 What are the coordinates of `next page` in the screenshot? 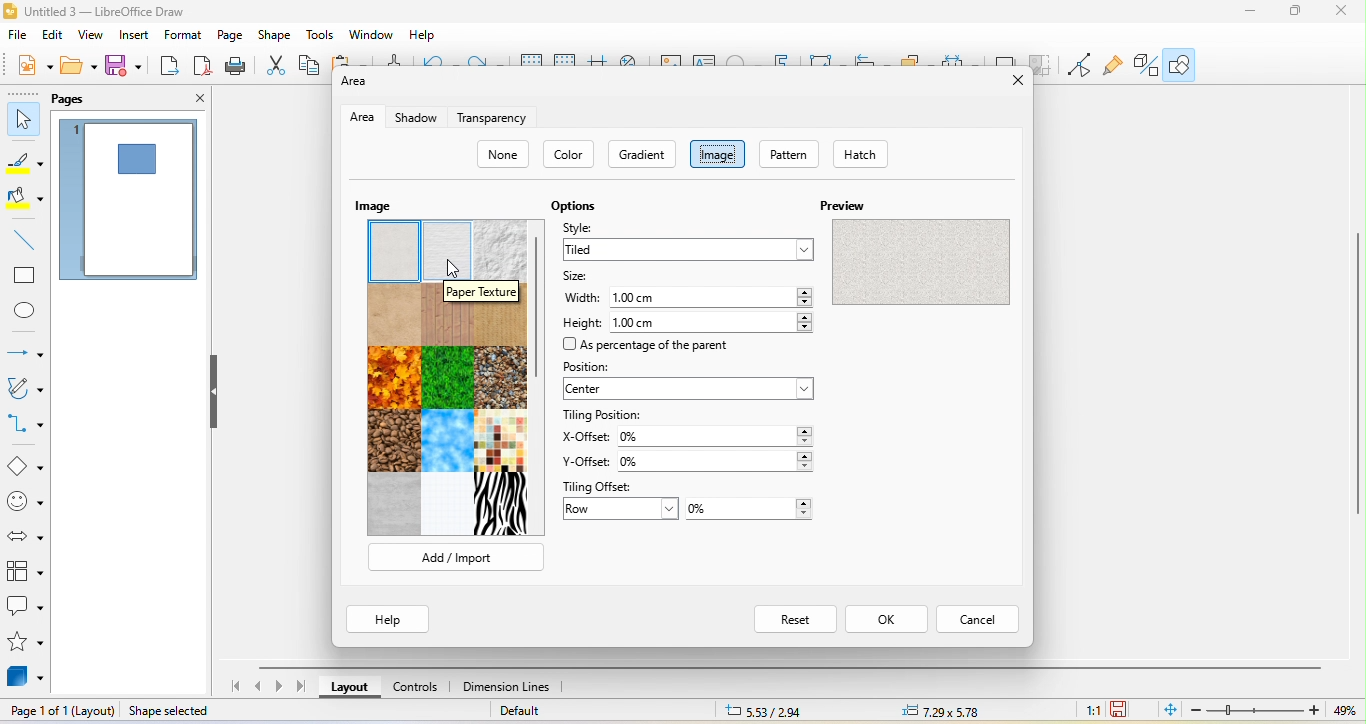 It's located at (280, 686).